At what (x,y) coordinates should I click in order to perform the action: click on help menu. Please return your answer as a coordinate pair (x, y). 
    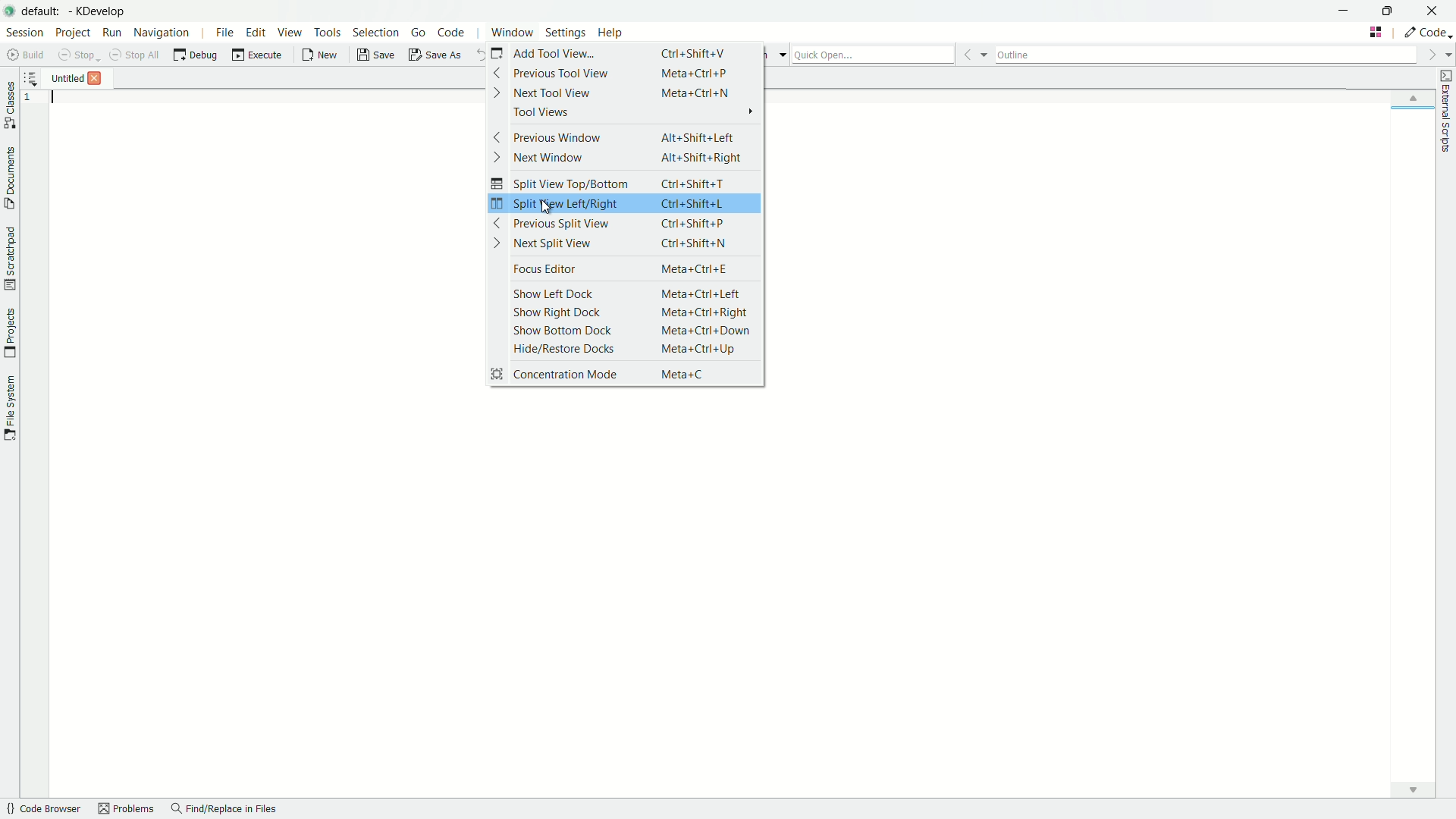
    Looking at the image, I should click on (610, 33).